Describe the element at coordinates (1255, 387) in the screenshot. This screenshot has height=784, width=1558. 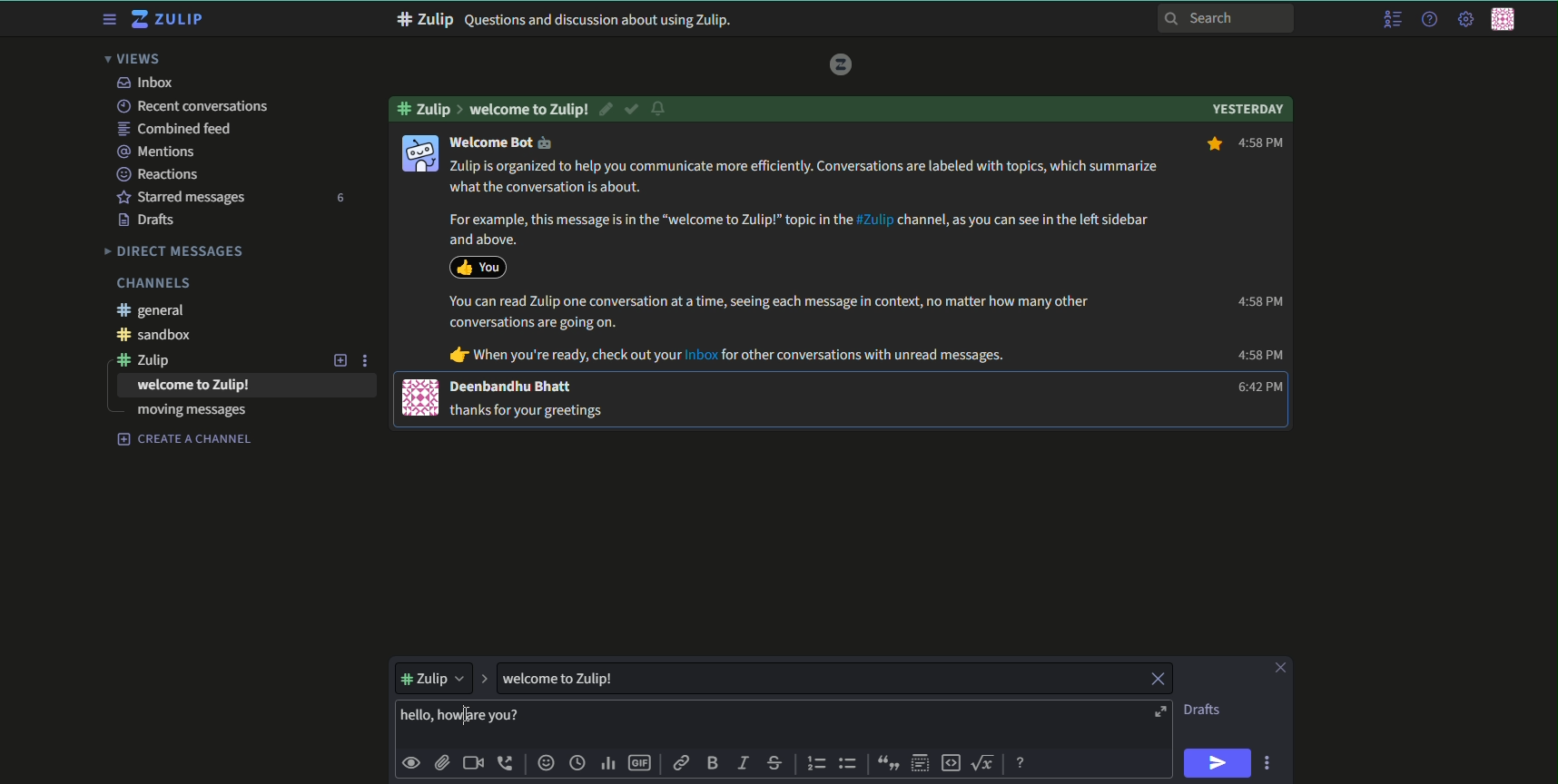
I see `6:42 PM` at that location.